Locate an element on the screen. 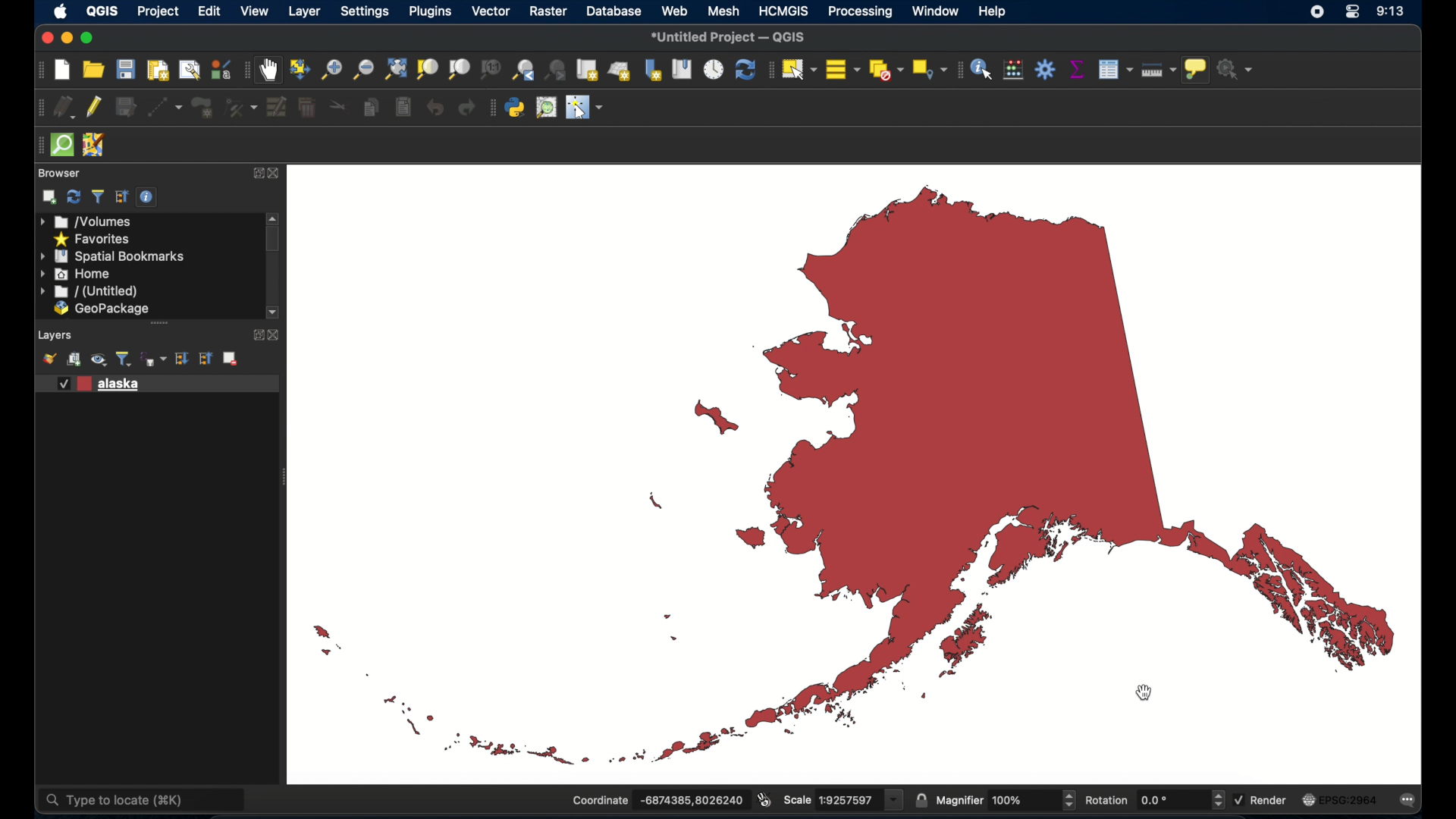  cursor is located at coordinates (1150, 690).